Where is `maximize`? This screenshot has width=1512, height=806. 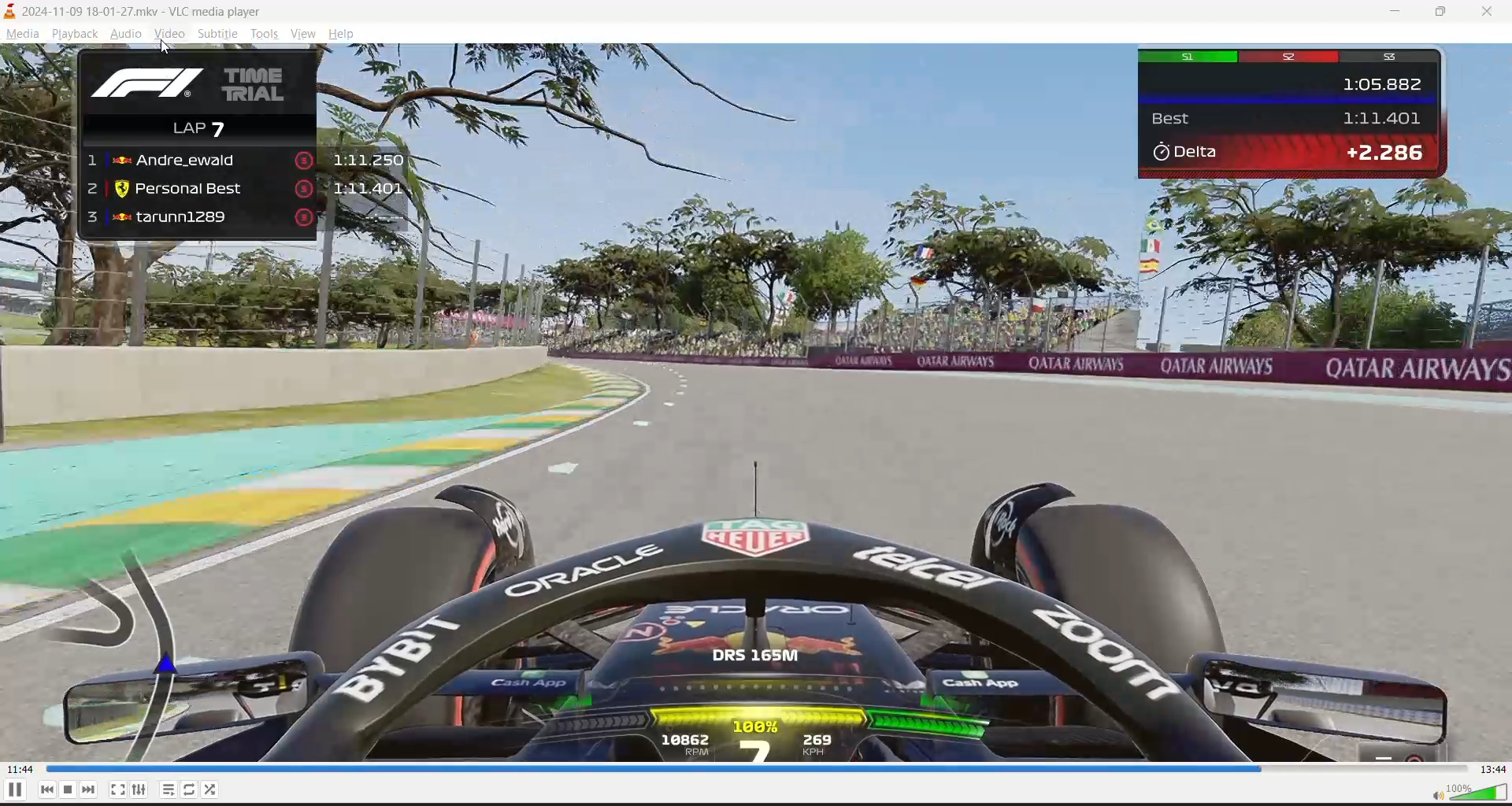 maximize is located at coordinates (1447, 12).